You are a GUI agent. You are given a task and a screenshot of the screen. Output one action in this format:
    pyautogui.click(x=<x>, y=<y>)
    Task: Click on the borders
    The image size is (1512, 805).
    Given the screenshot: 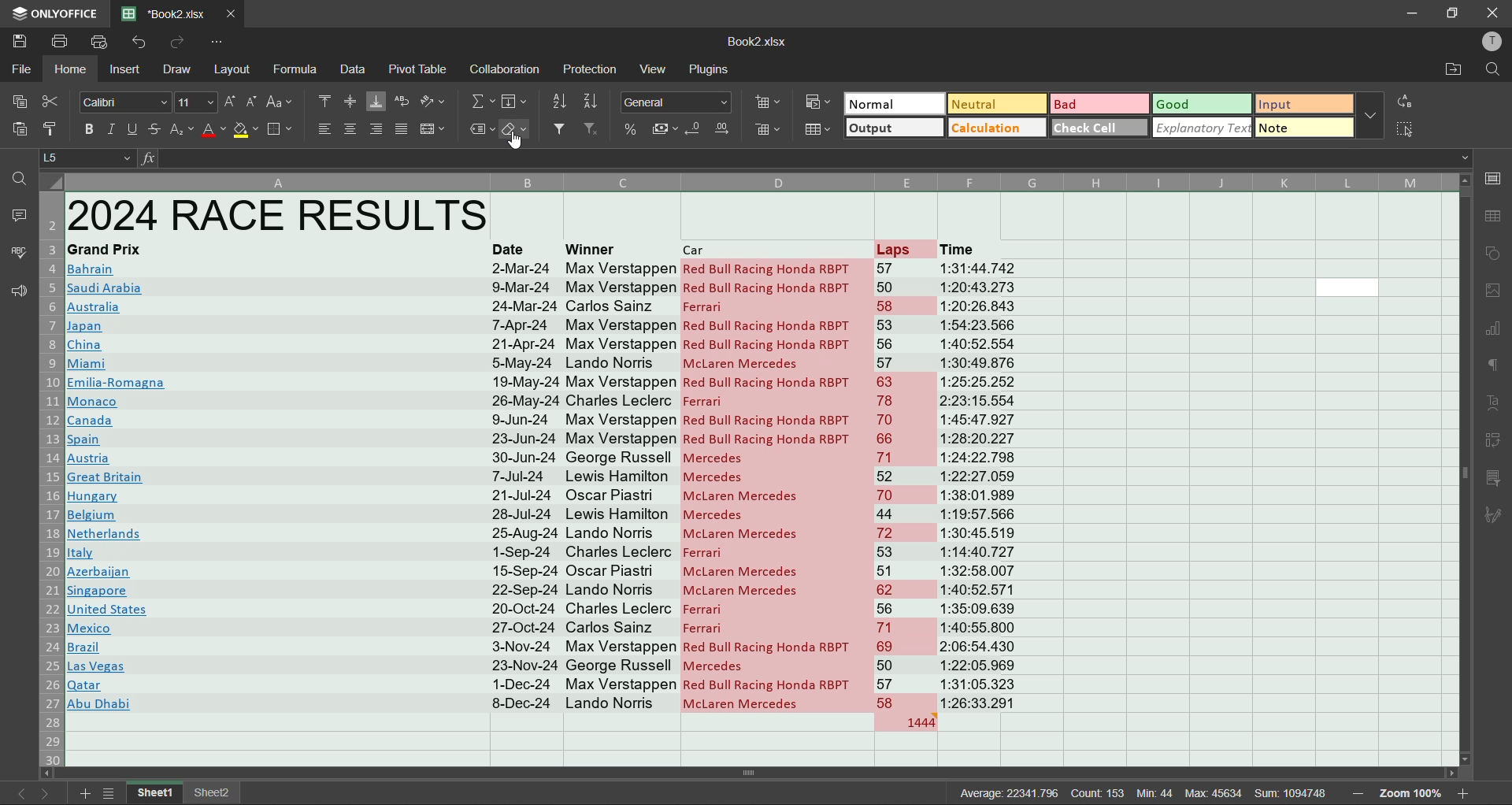 What is the action you would take?
    pyautogui.click(x=280, y=129)
    